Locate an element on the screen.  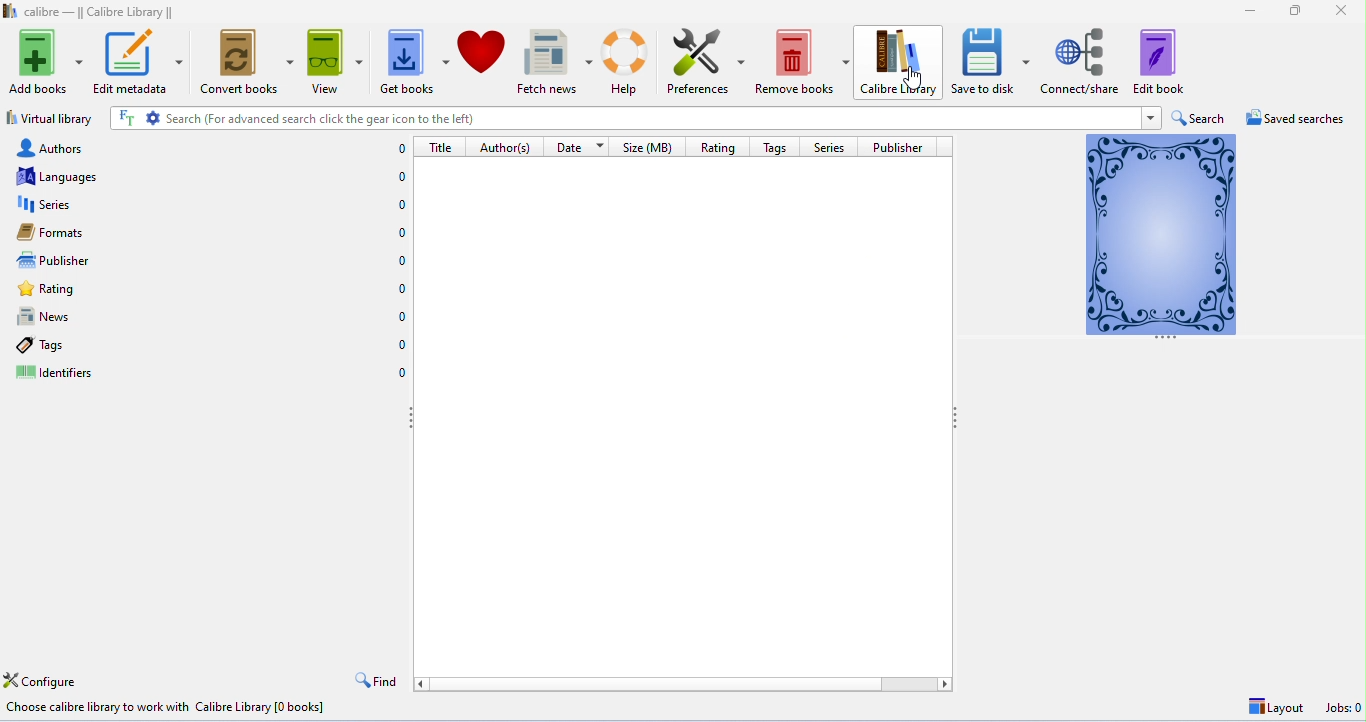
Choose calibre library to work with calibre library [0books] is located at coordinates (172, 707).